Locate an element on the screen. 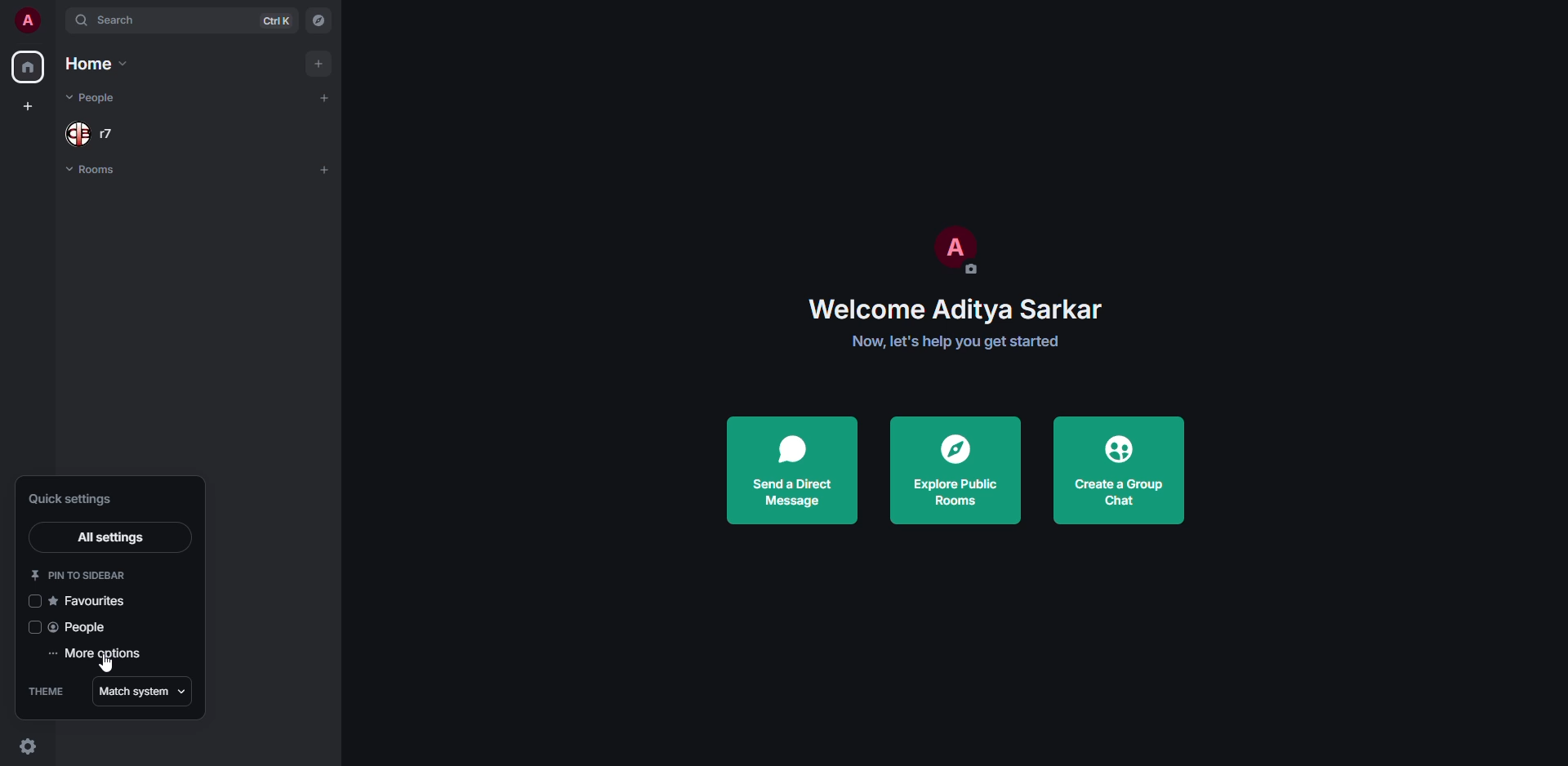 This screenshot has height=766, width=1568. theme is located at coordinates (47, 693).